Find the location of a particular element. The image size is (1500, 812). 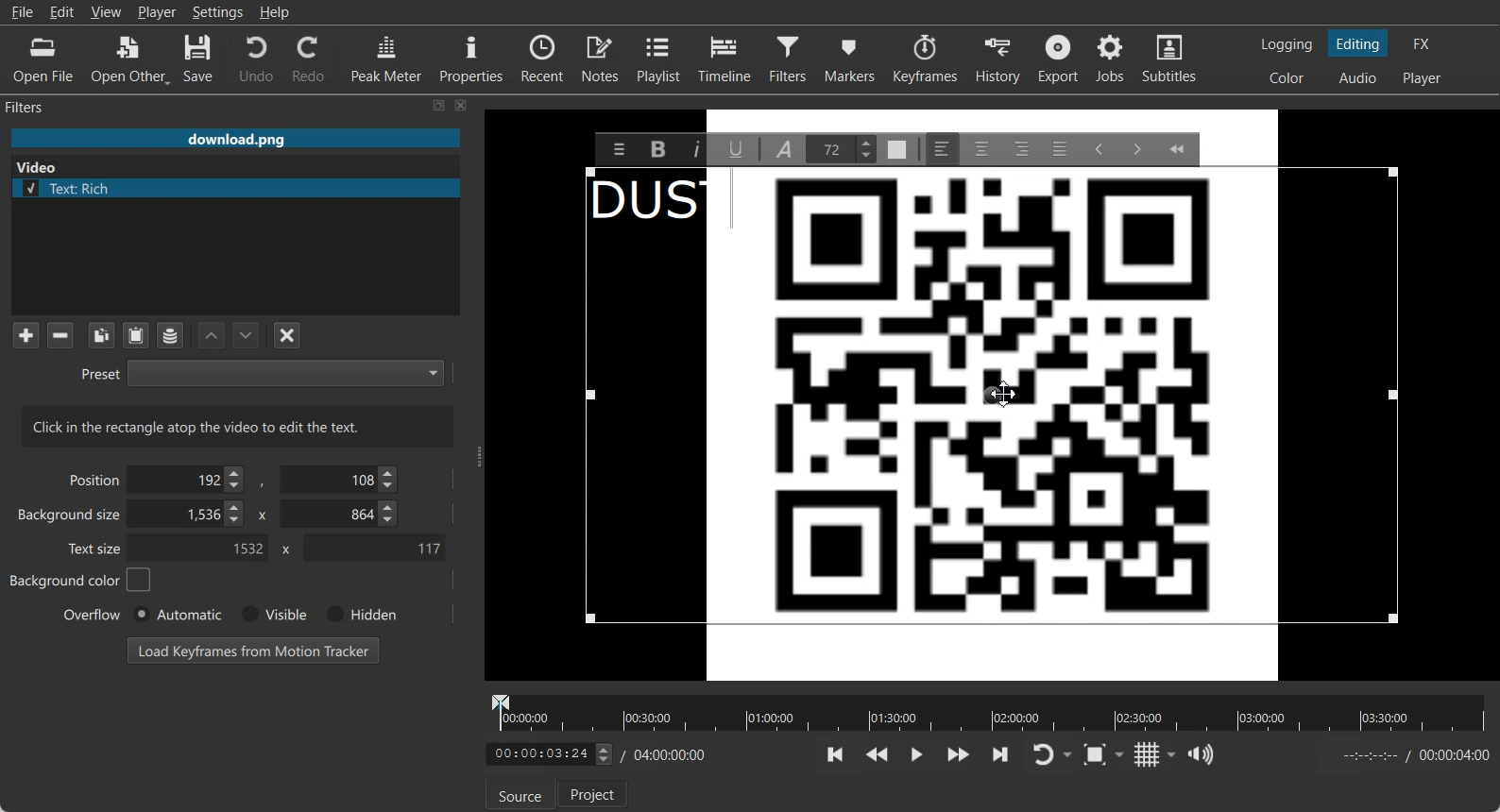

Save is located at coordinates (198, 59).